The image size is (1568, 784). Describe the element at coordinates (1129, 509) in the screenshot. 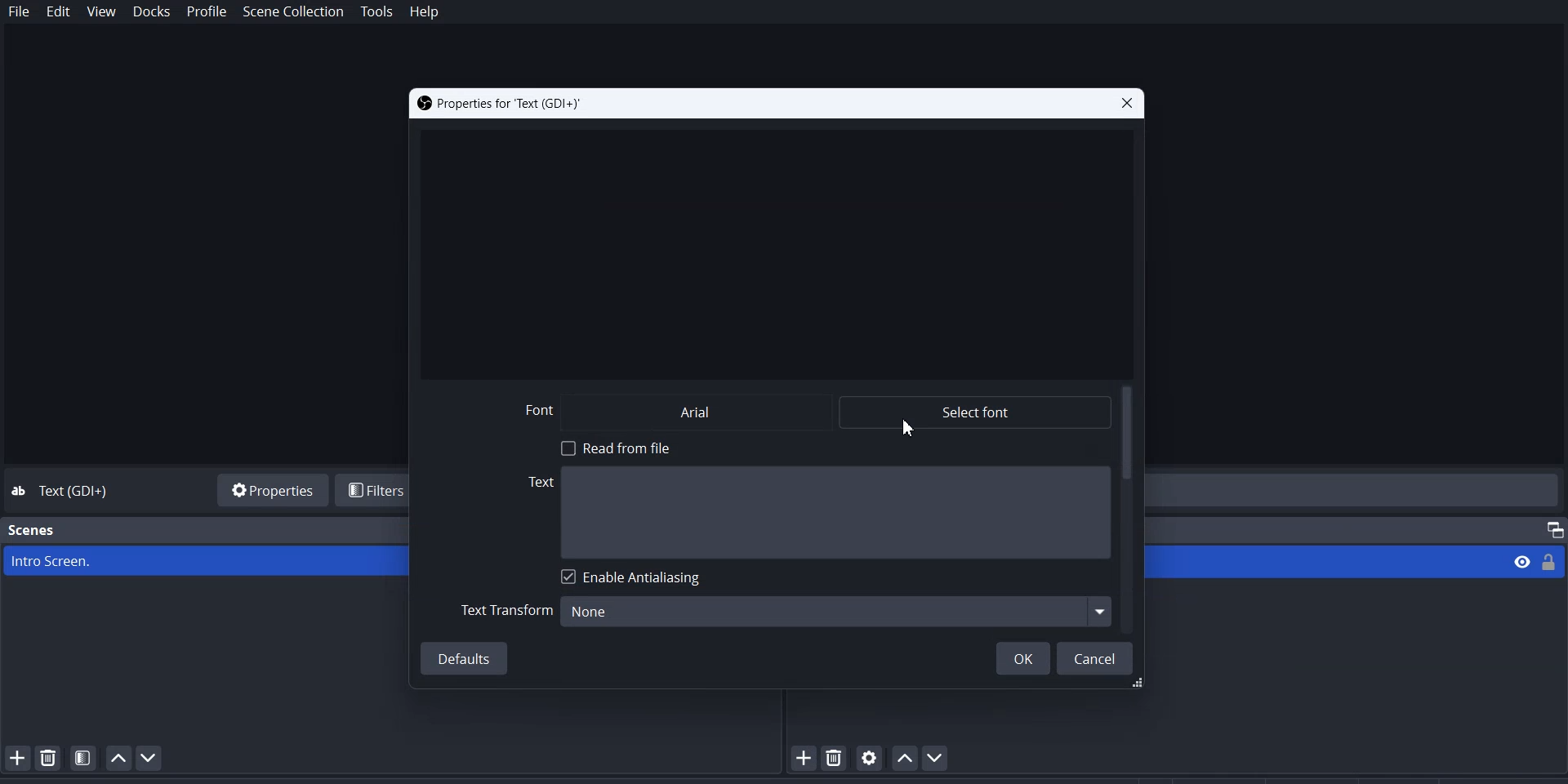

I see `Vertical Scroll bar` at that location.